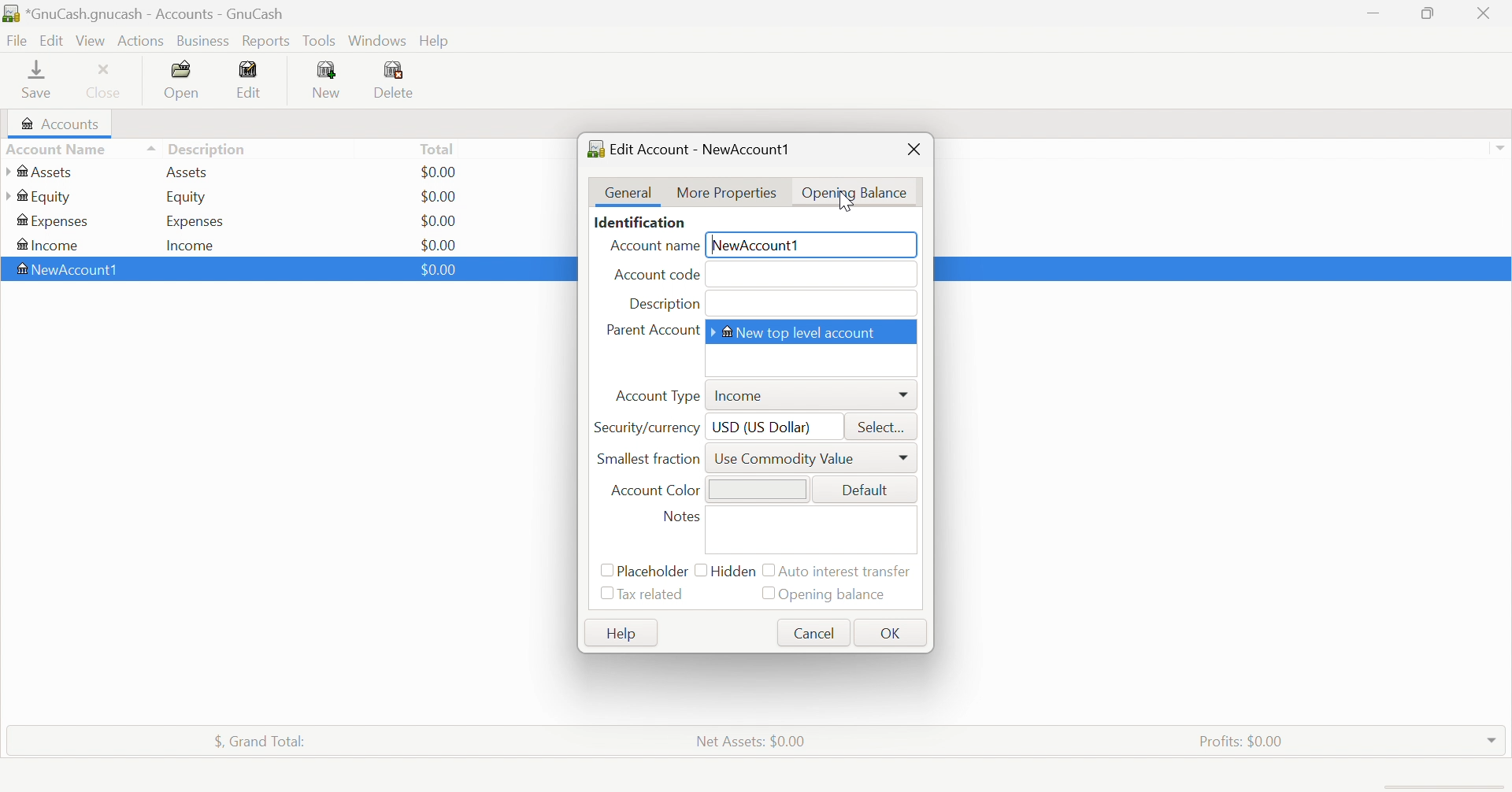 The image size is (1512, 792). What do you see at coordinates (54, 221) in the screenshot?
I see `Expenses` at bounding box center [54, 221].